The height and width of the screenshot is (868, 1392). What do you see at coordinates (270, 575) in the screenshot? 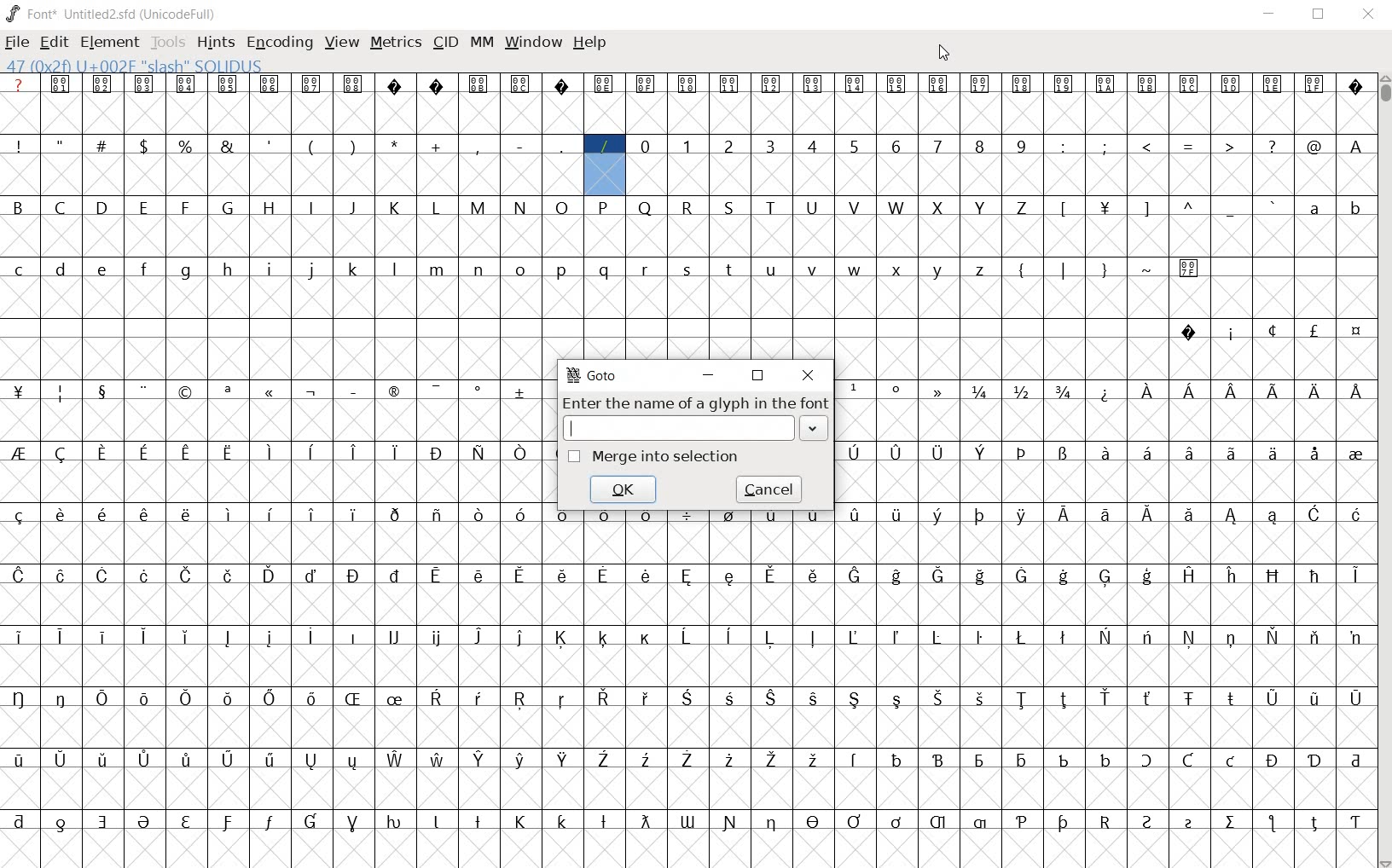
I see `glyph` at bounding box center [270, 575].